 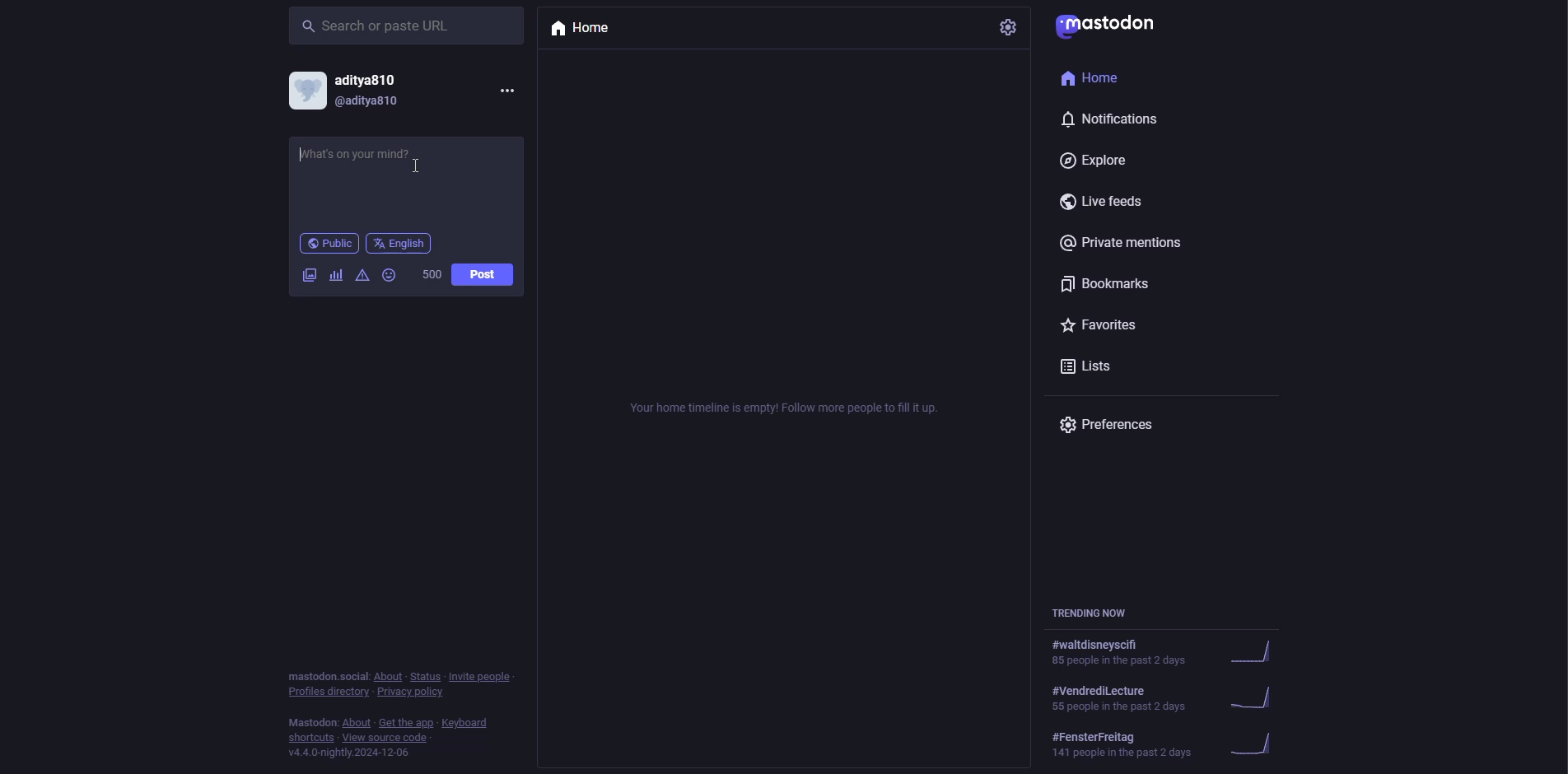 I want to click on settings, so click(x=1010, y=30).